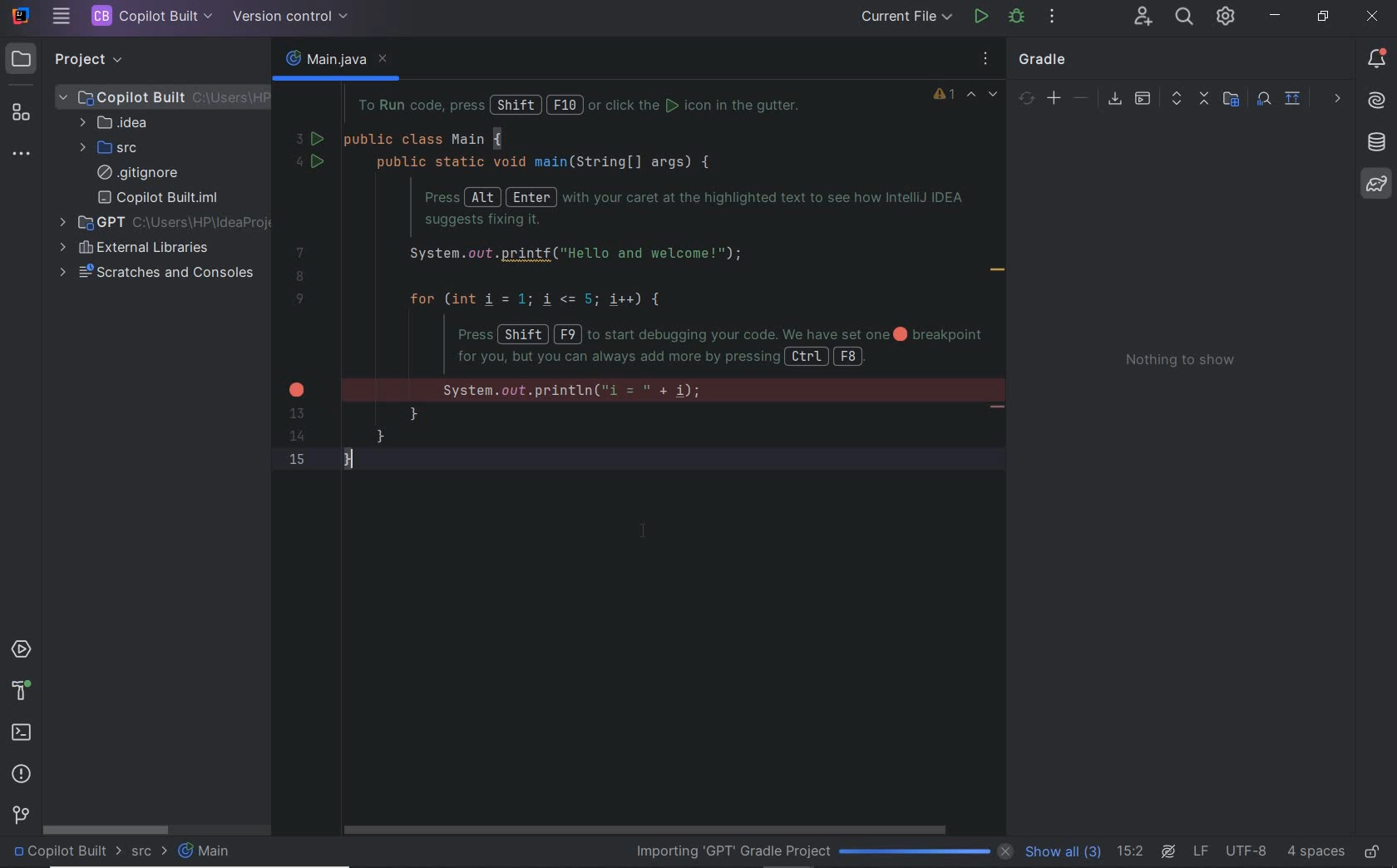  I want to click on 3, so click(300, 137).